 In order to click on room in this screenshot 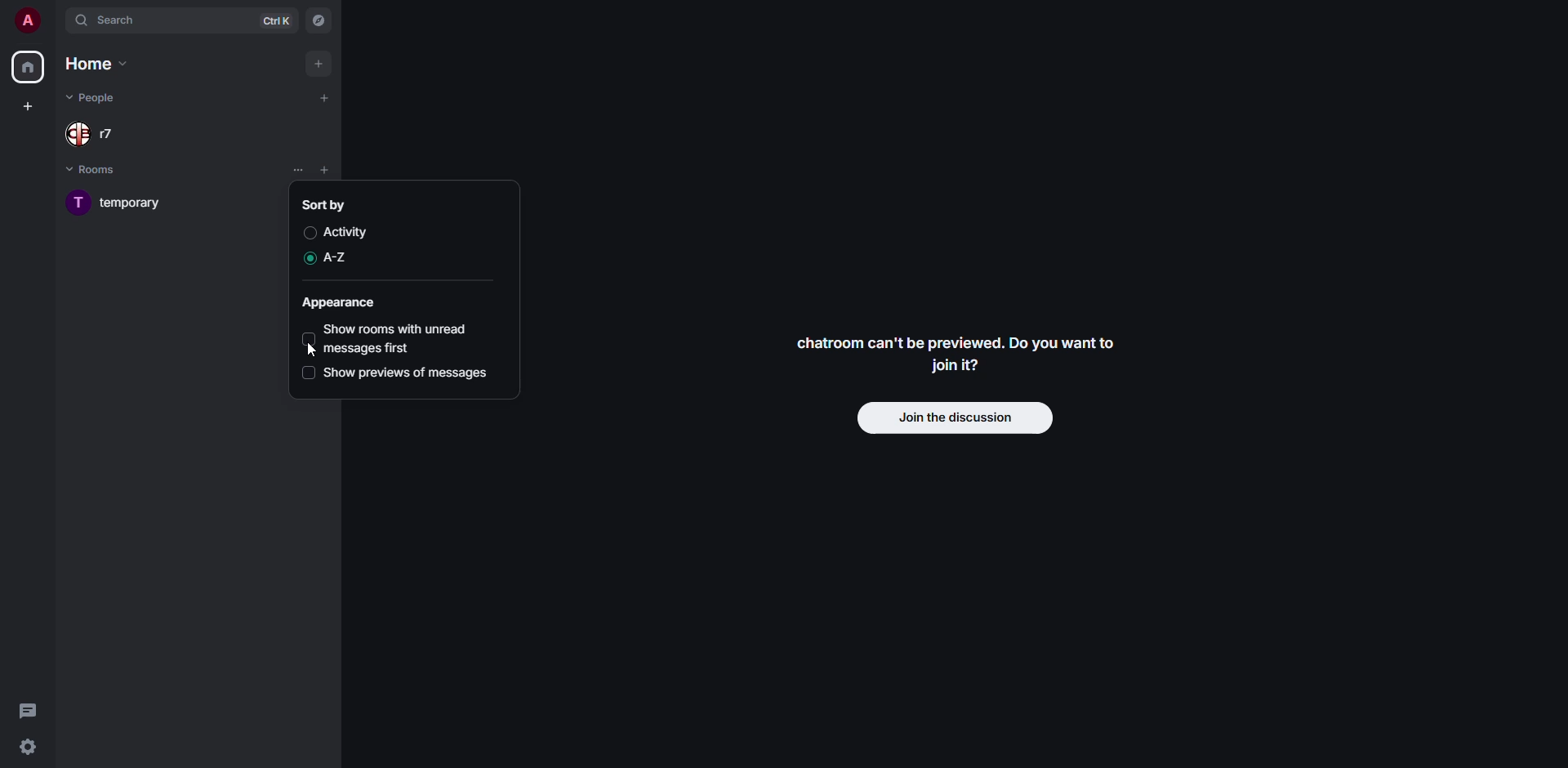, I will do `click(125, 203)`.